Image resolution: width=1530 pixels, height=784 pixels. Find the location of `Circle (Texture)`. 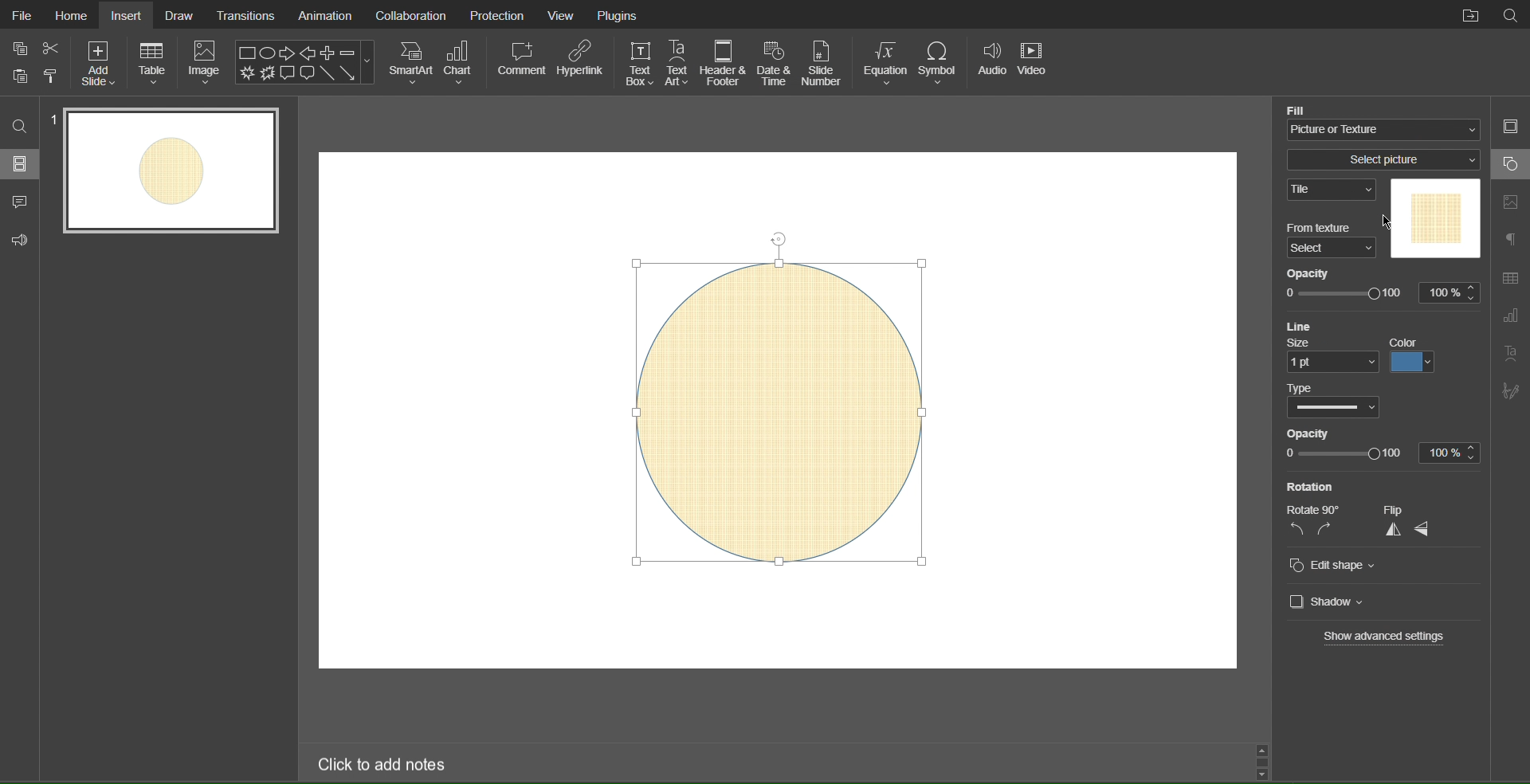

Circle (Texture) is located at coordinates (780, 405).